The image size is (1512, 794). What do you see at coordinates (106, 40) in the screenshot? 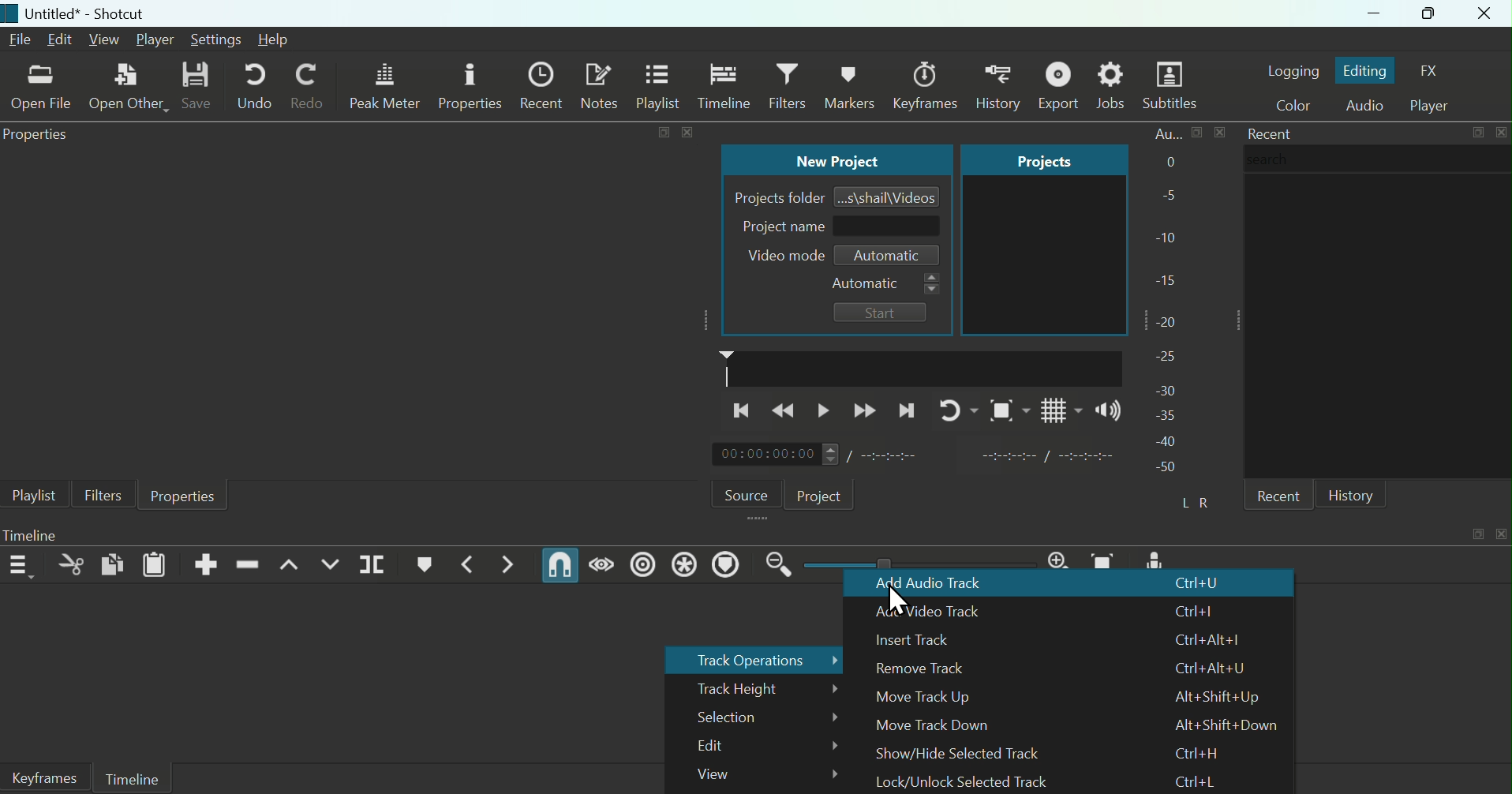
I see `View` at bounding box center [106, 40].